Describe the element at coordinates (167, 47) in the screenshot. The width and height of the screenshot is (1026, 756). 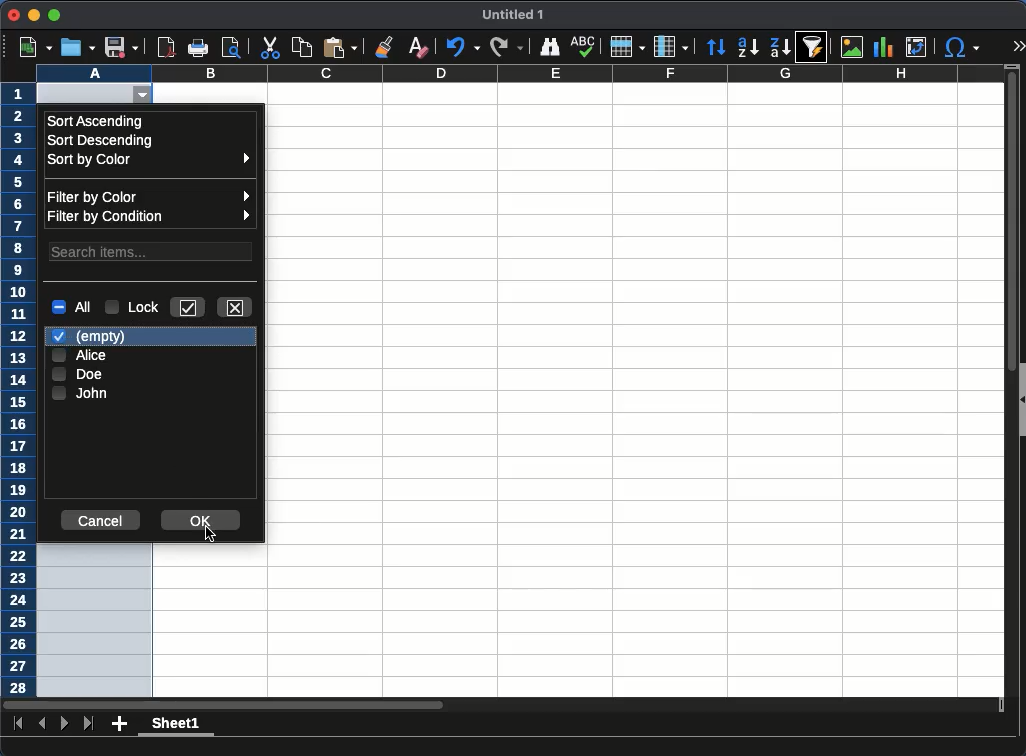
I see `pdf reviewer` at that location.